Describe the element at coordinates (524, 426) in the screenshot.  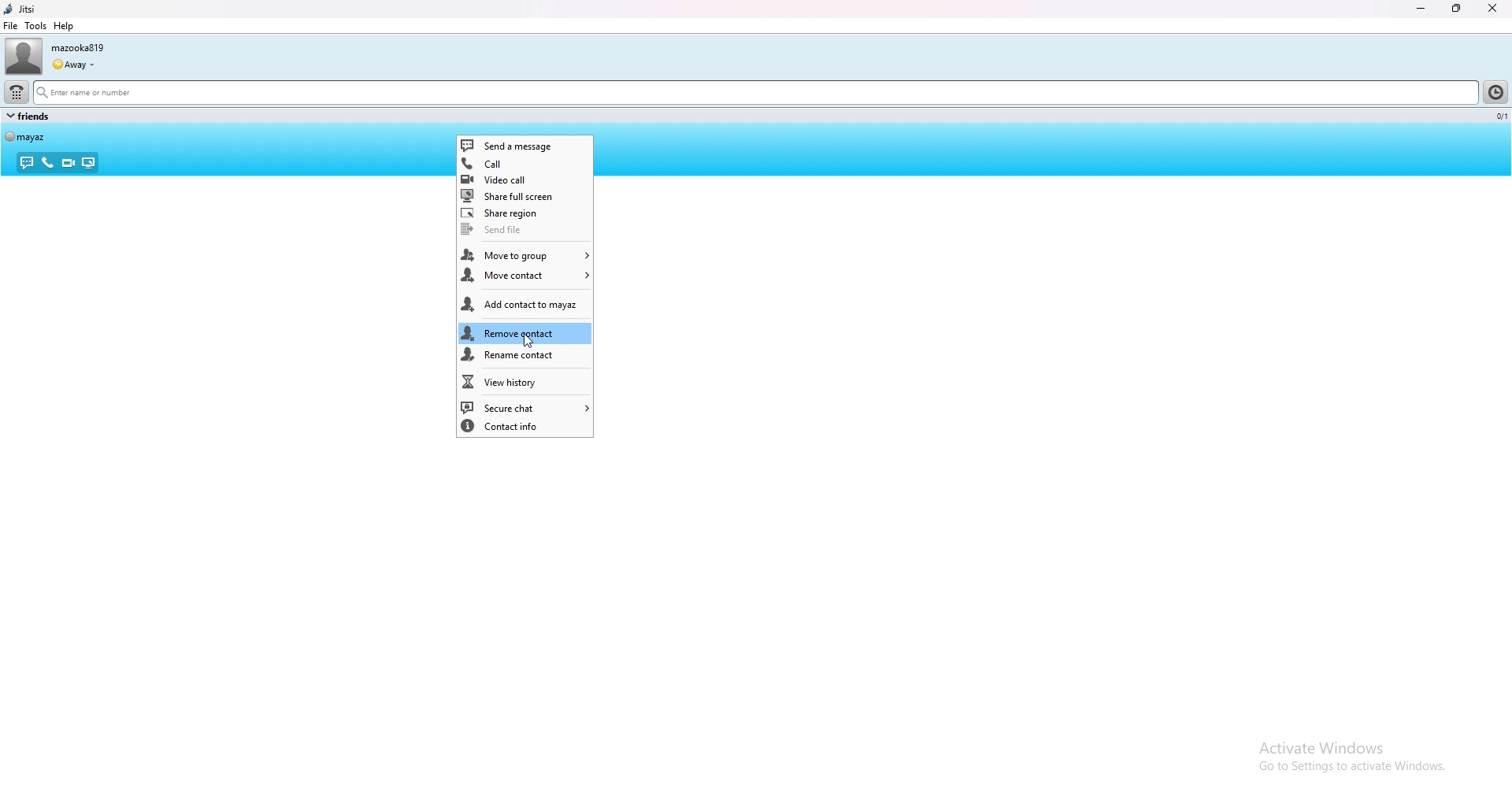
I see `contact info` at that location.